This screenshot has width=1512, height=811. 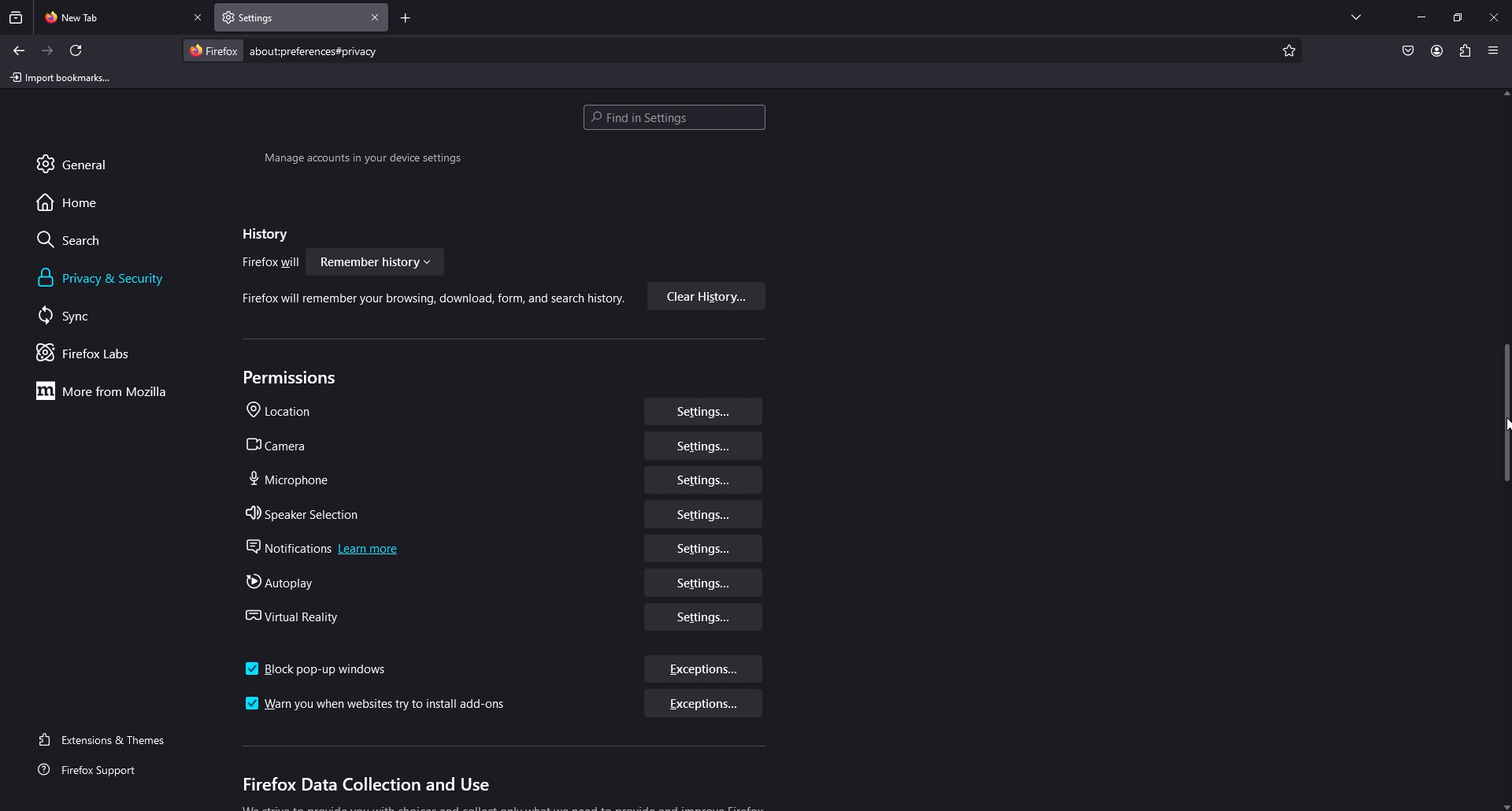 I want to click on home, so click(x=81, y=202).